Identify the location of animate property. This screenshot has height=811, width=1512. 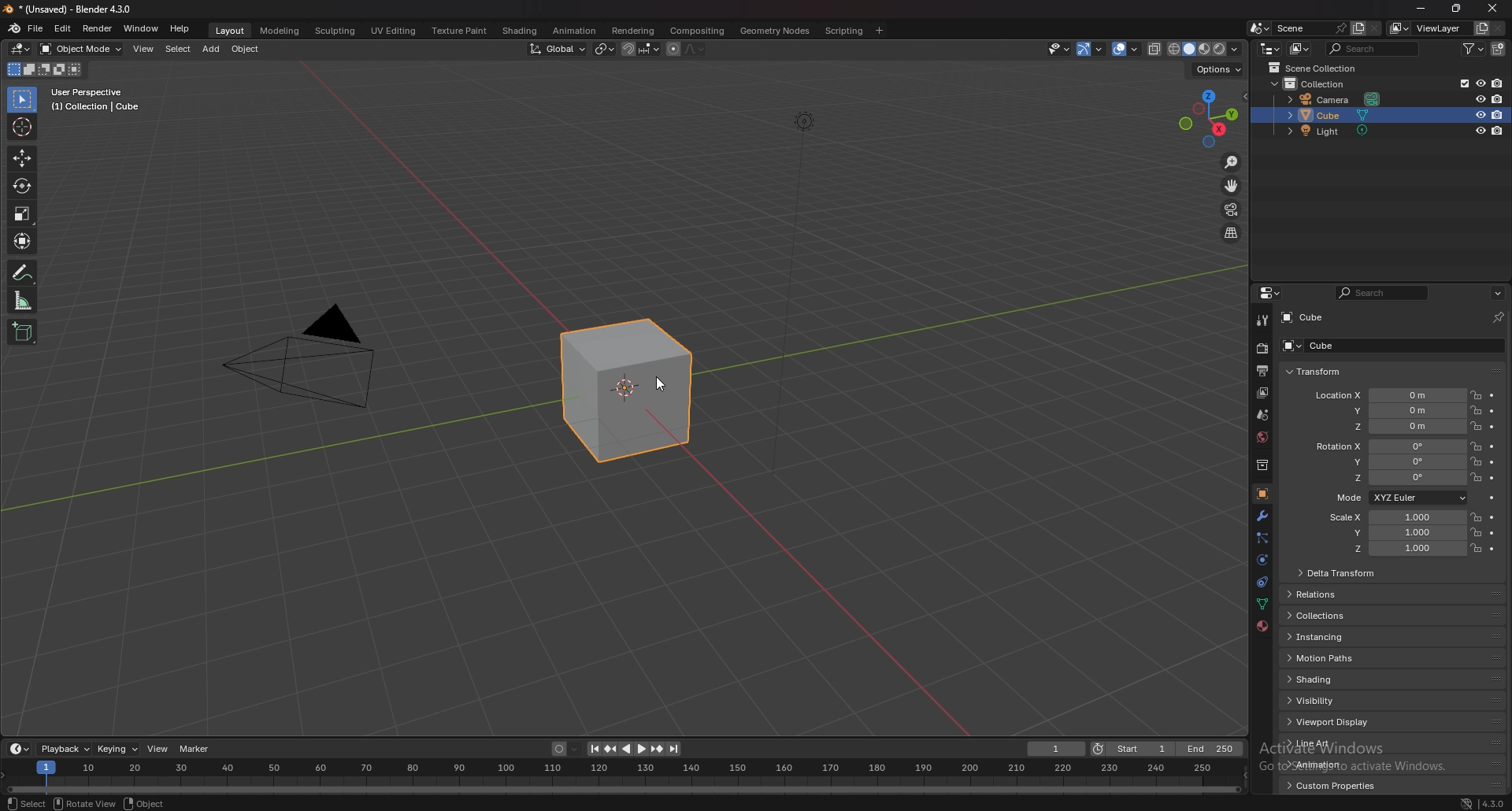
(1495, 498).